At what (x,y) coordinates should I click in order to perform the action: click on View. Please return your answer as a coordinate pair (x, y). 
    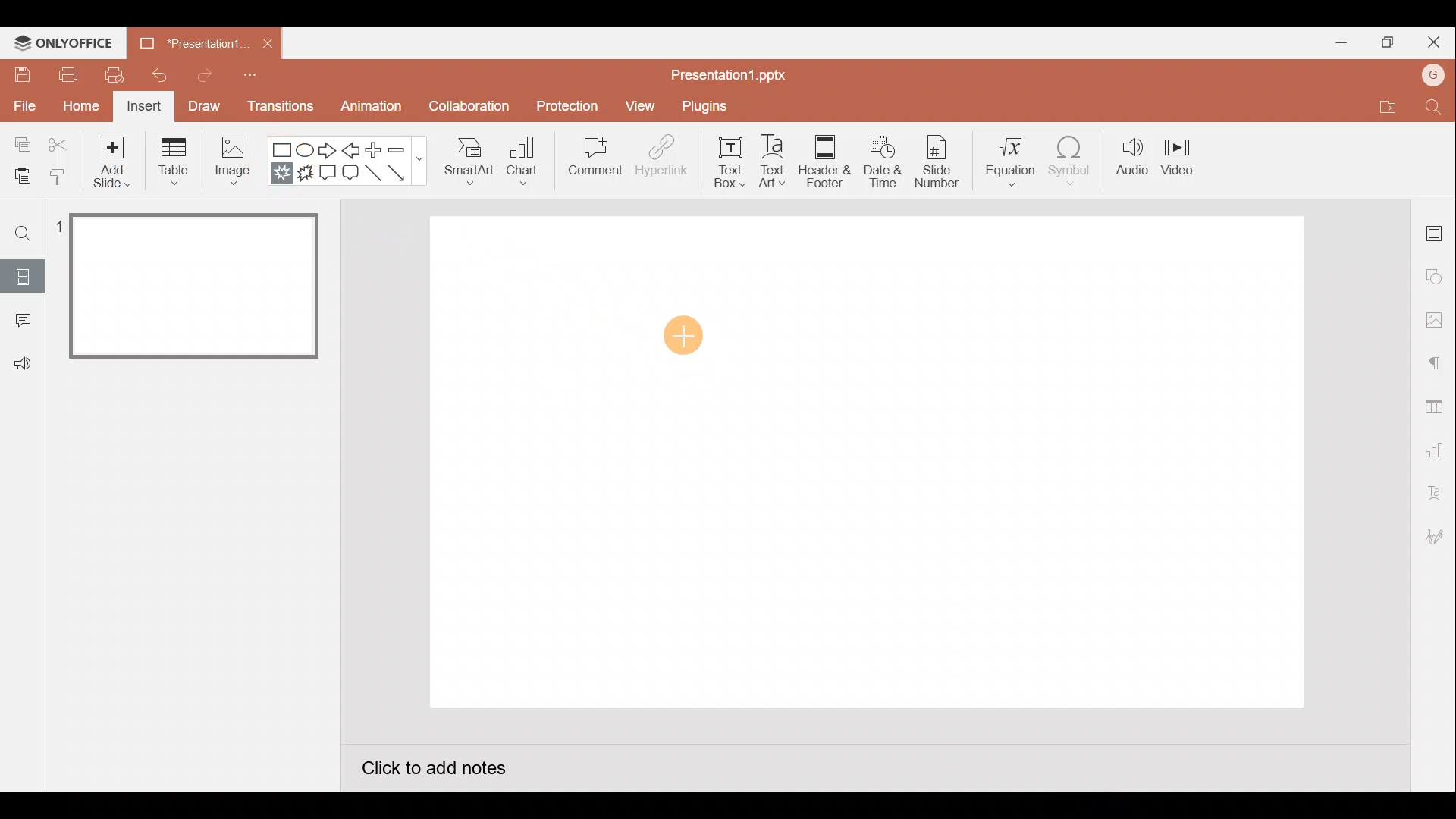
    Looking at the image, I should click on (639, 105).